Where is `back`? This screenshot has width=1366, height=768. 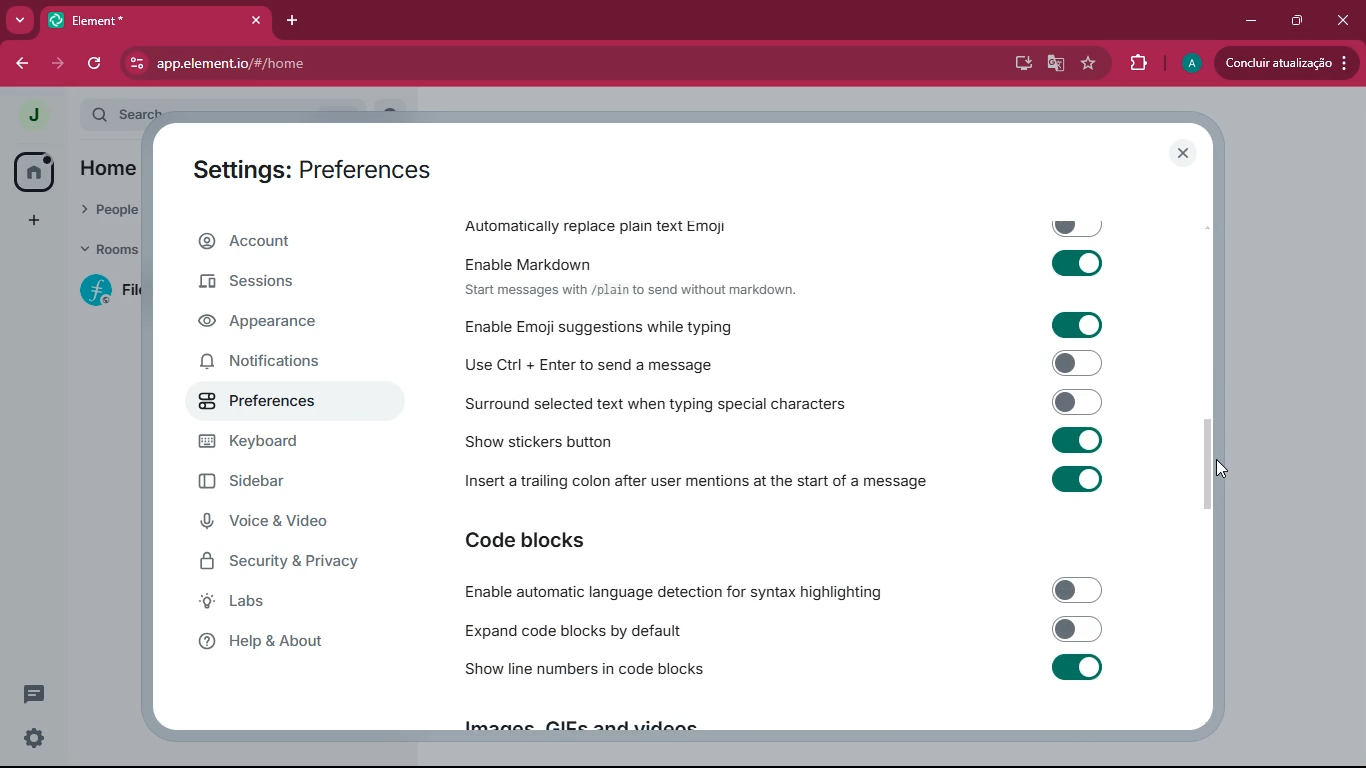 back is located at coordinates (18, 61).